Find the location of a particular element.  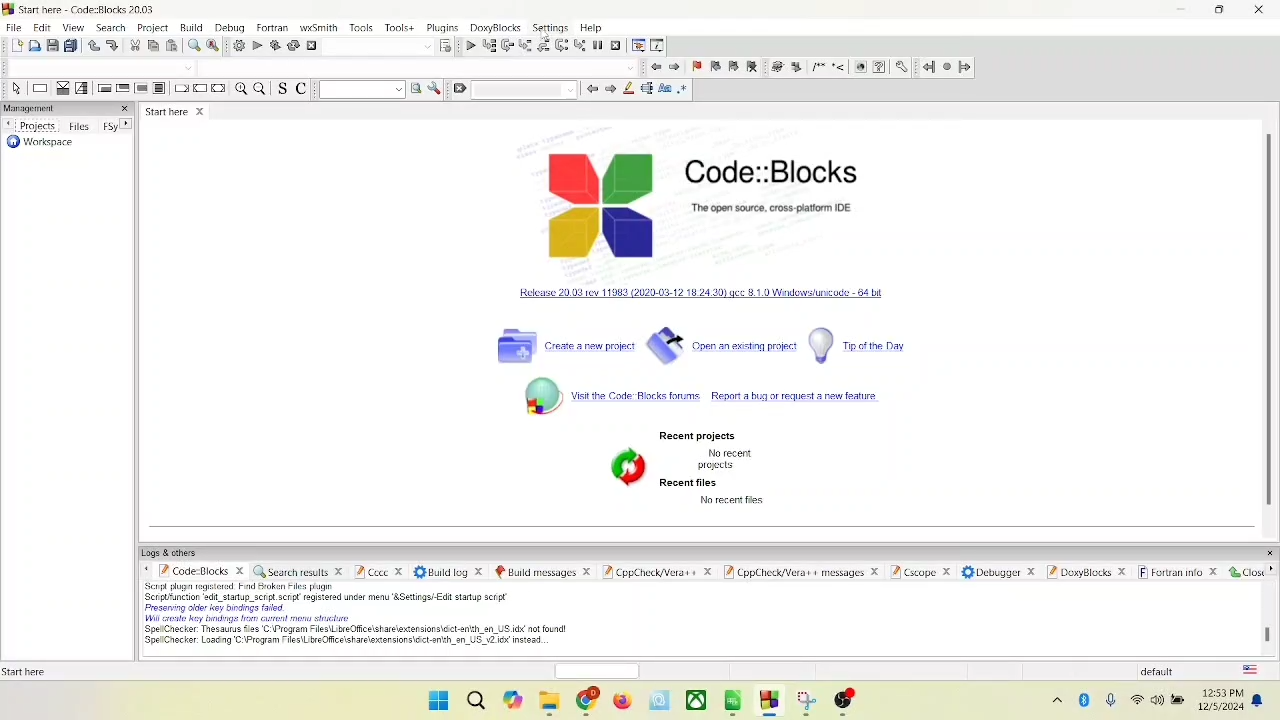

microphone is located at coordinates (1112, 702).